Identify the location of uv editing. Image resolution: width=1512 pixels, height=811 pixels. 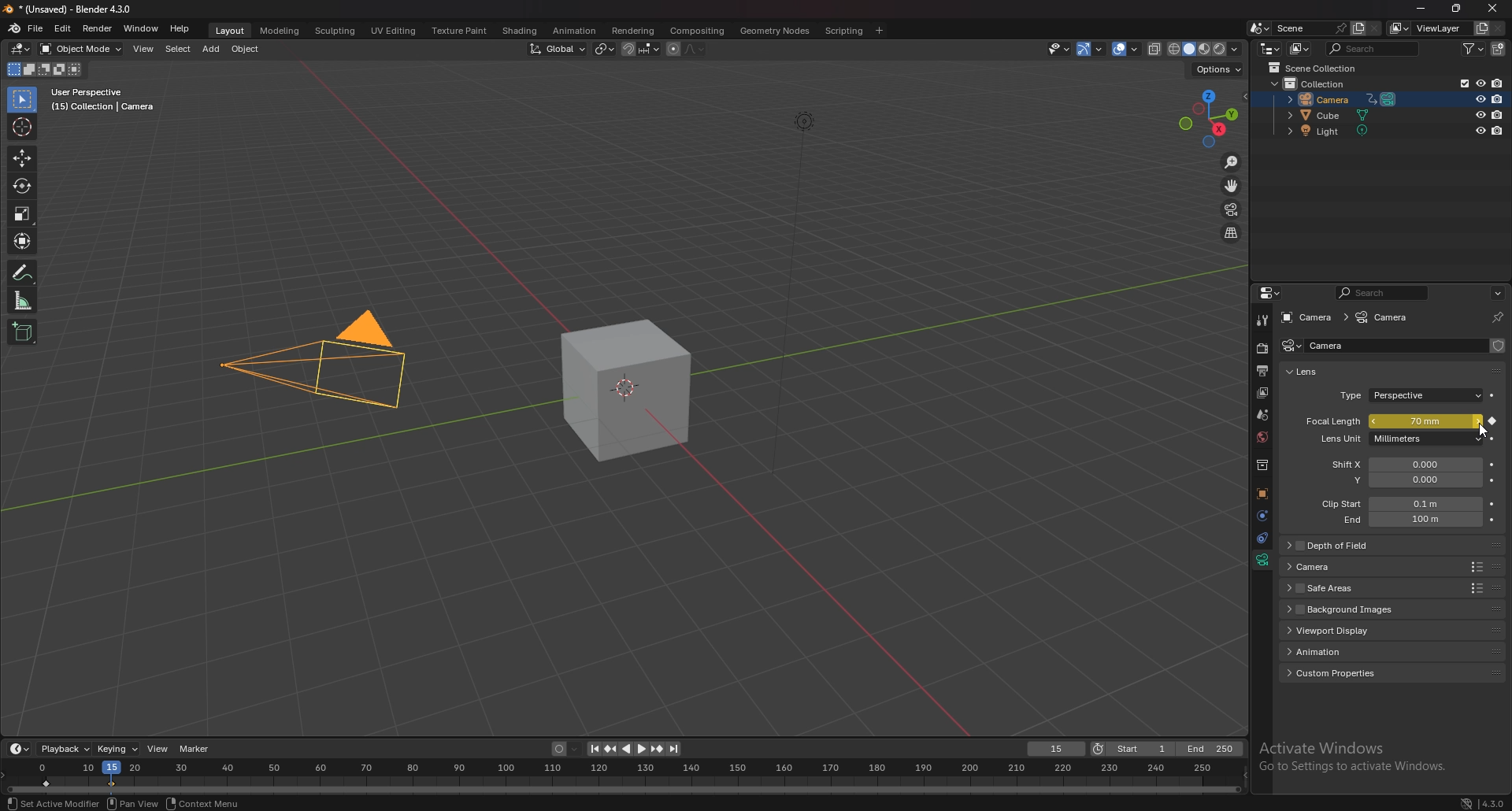
(393, 31).